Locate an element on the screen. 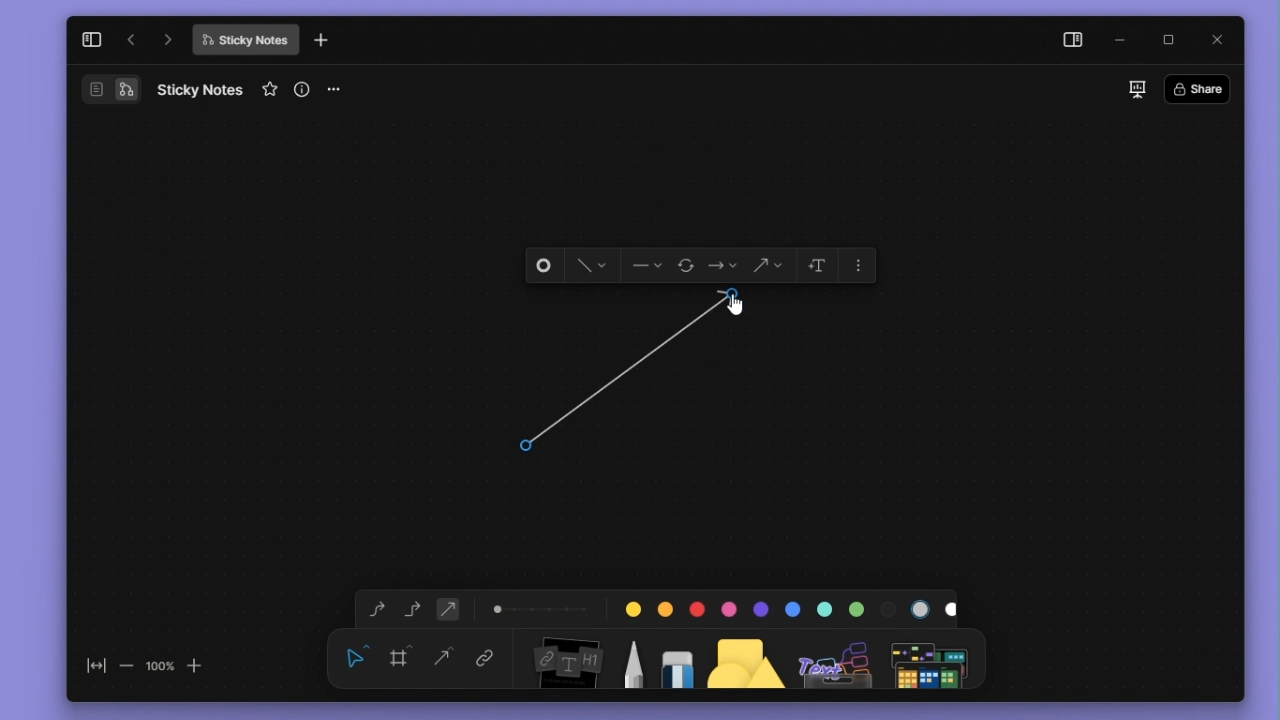 The height and width of the screenshot is (720, 1280). startpoint style is located at coordinates (646, 266).